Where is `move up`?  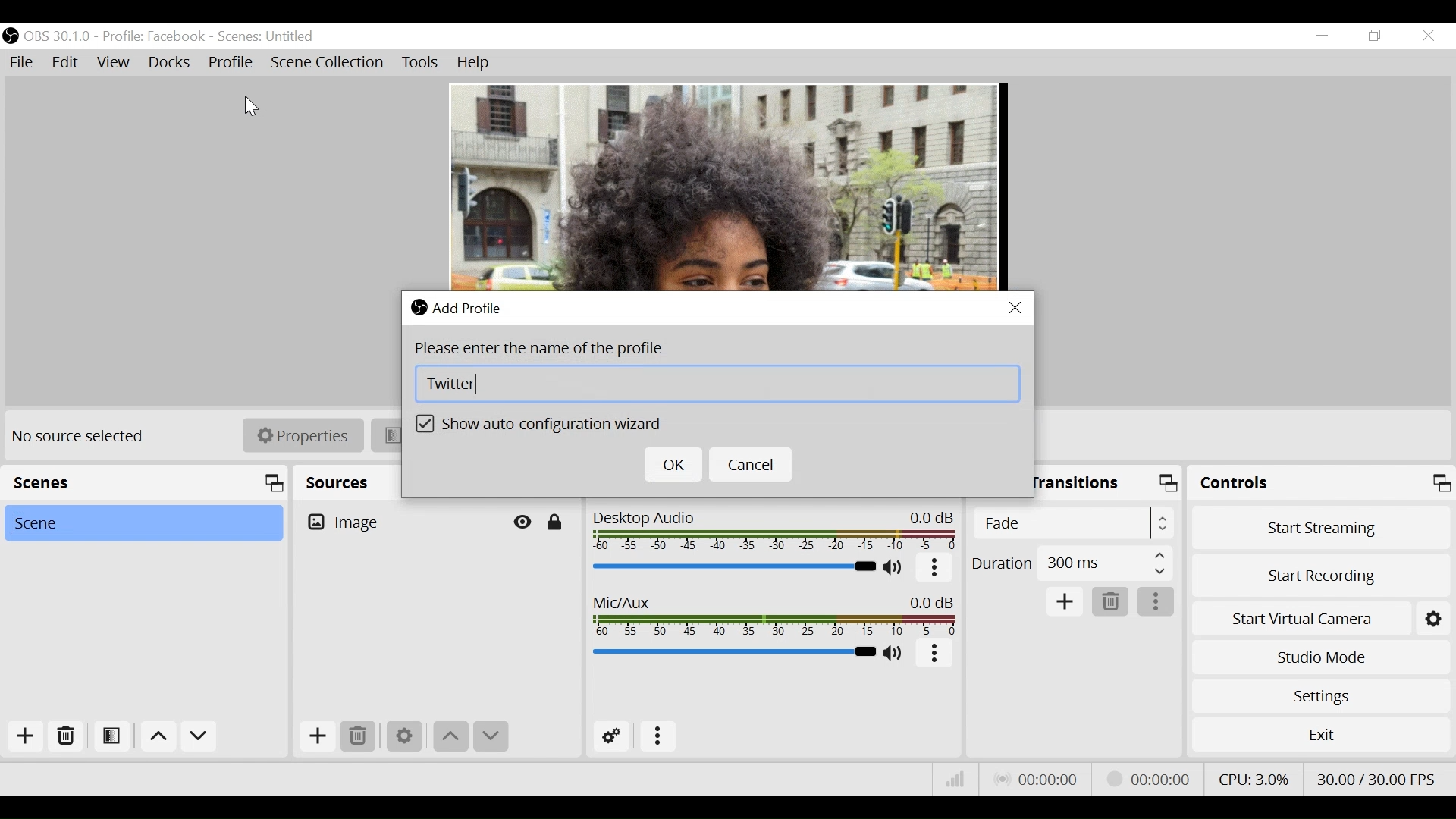 move up is located at coordinates (158, 737).